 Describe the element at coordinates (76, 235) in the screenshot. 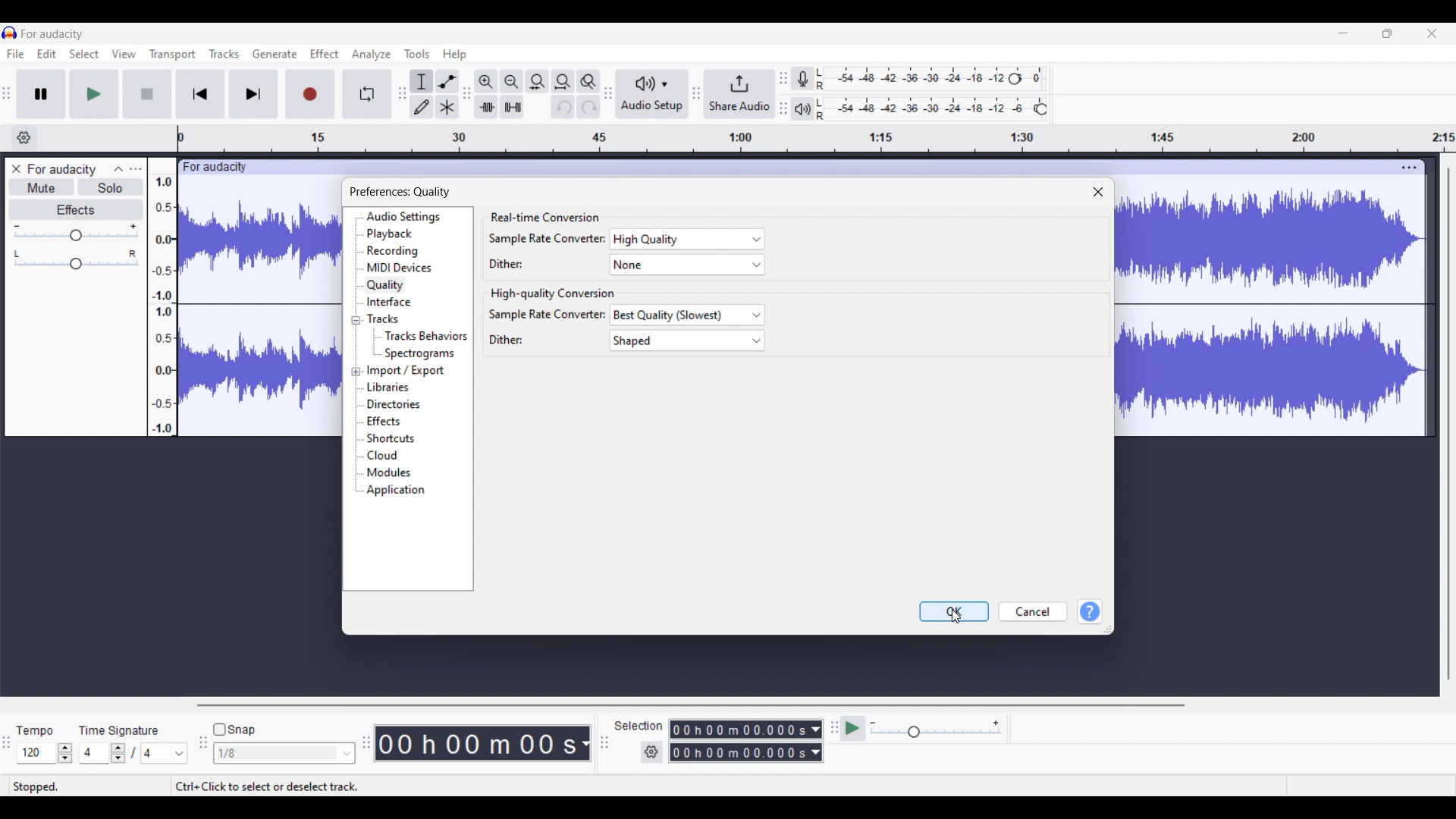

I see `Header to change volume` at that location.